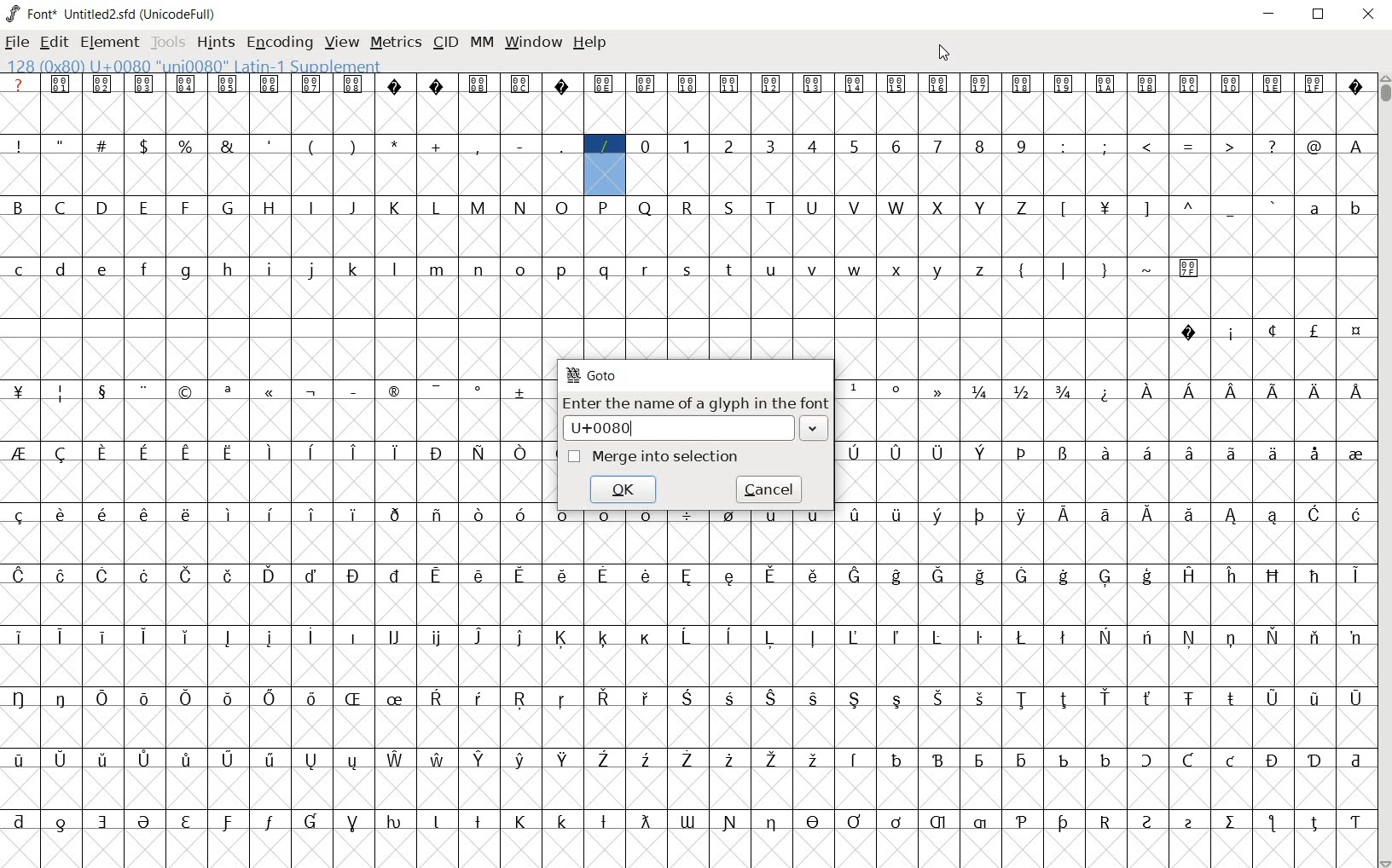 The image size is (1392, 868). Describe the element at coordinates (188, 576) in the screenshot. I see `glyph` at that location.